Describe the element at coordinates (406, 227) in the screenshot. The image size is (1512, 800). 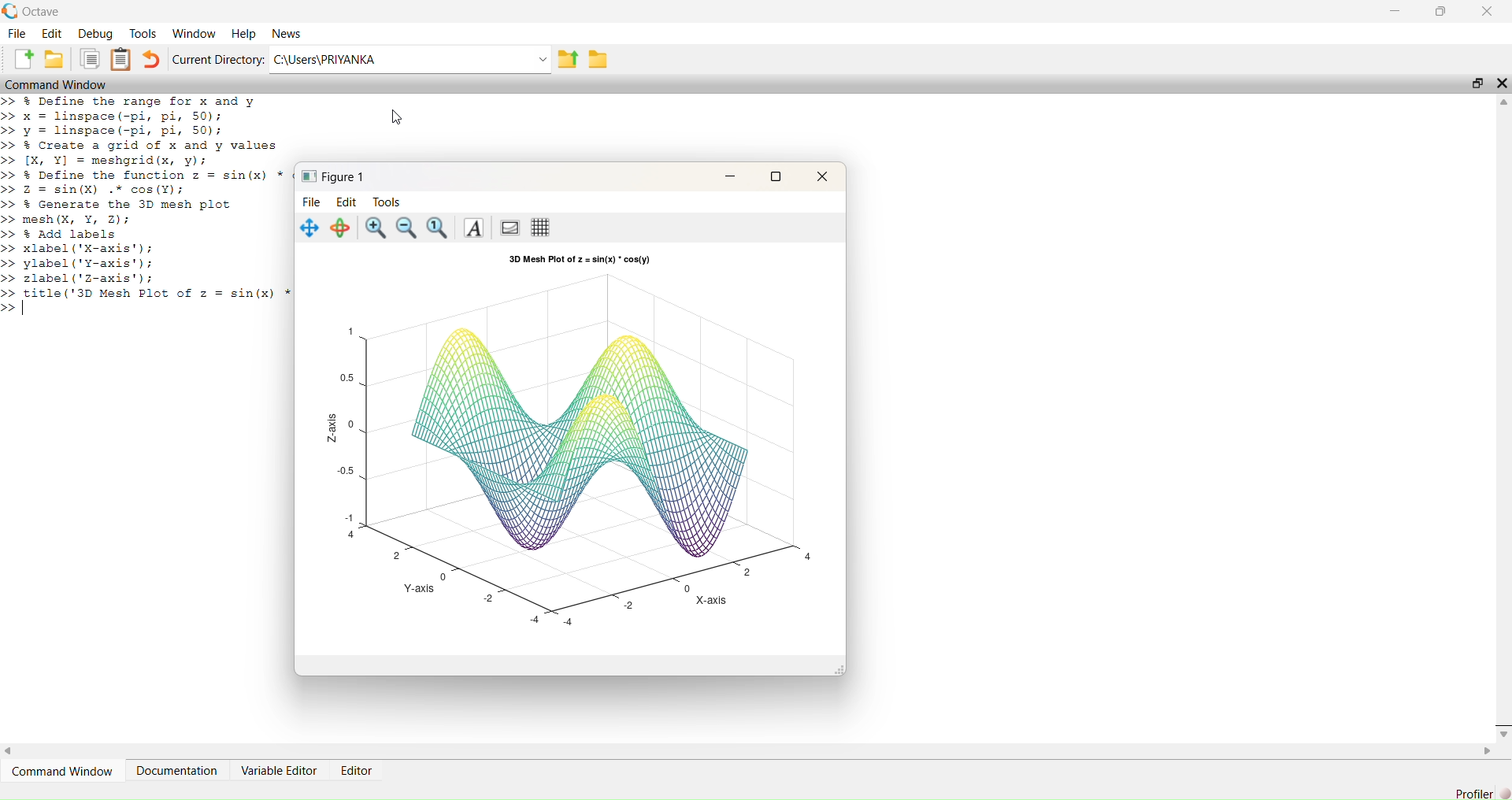
I see `Zoom out` at that location.